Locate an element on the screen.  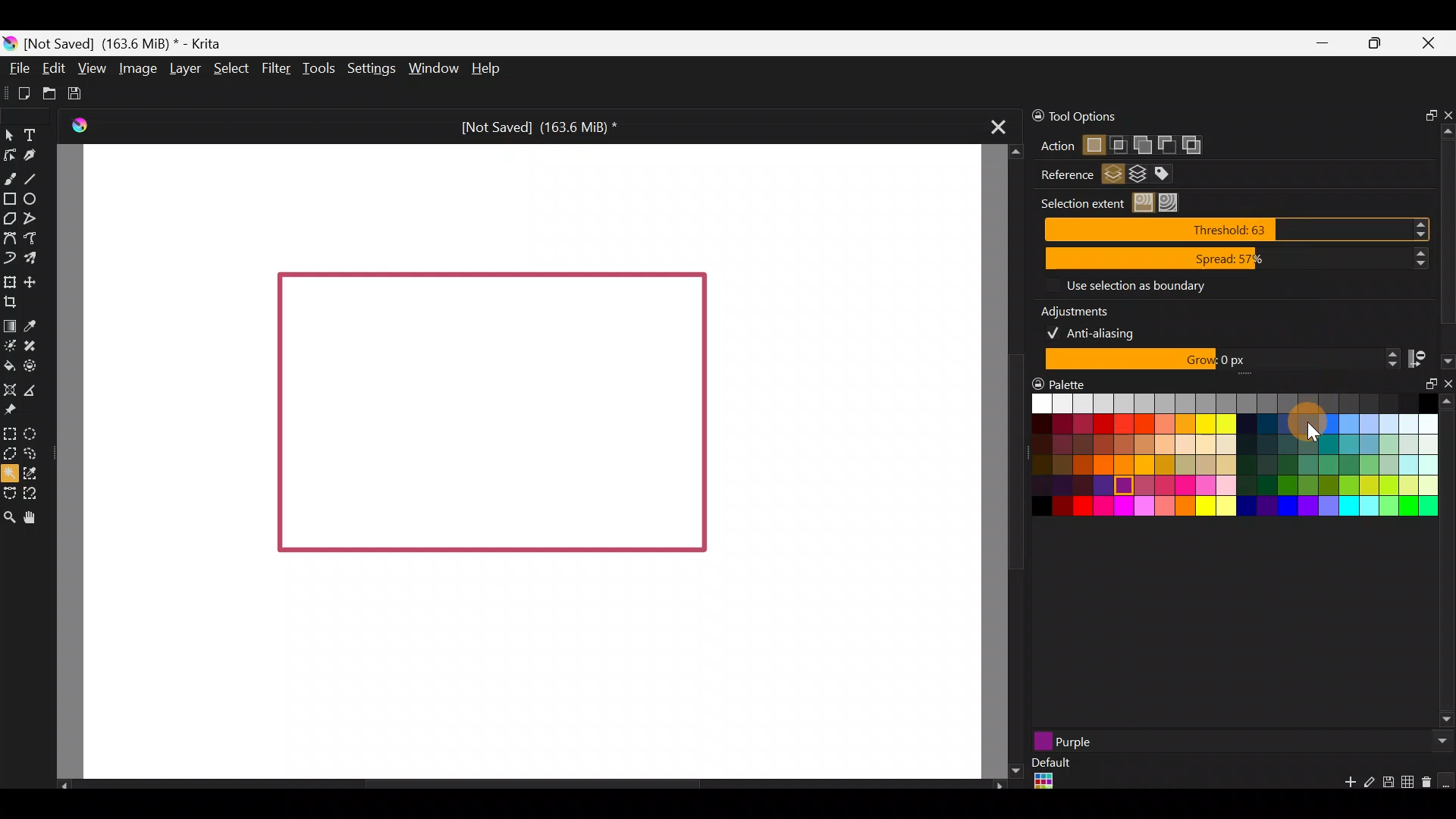
Default is located at coordinates (1050, 775).